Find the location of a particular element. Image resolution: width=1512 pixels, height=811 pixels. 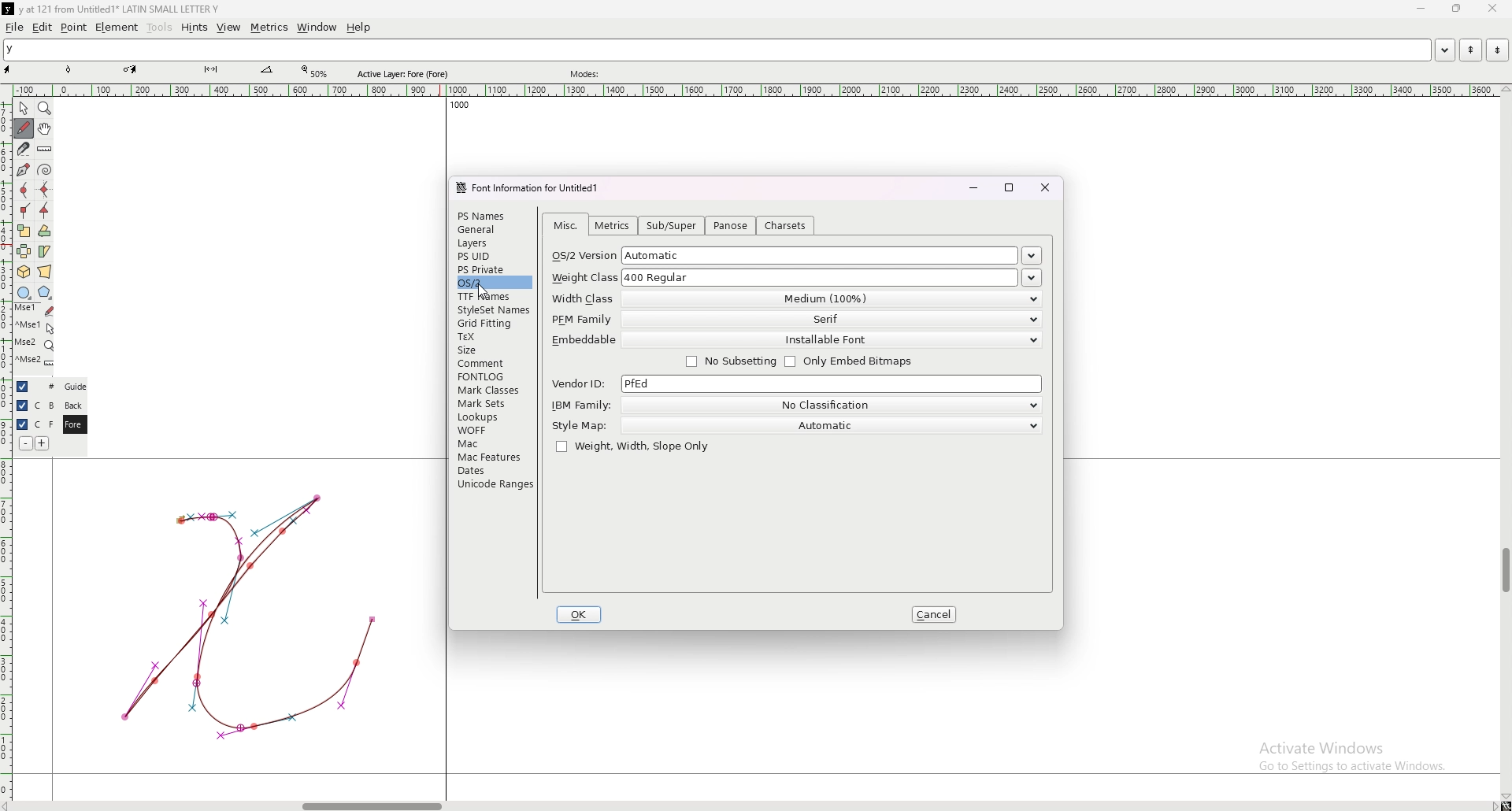

add layer is located at coordinates (43, 443).